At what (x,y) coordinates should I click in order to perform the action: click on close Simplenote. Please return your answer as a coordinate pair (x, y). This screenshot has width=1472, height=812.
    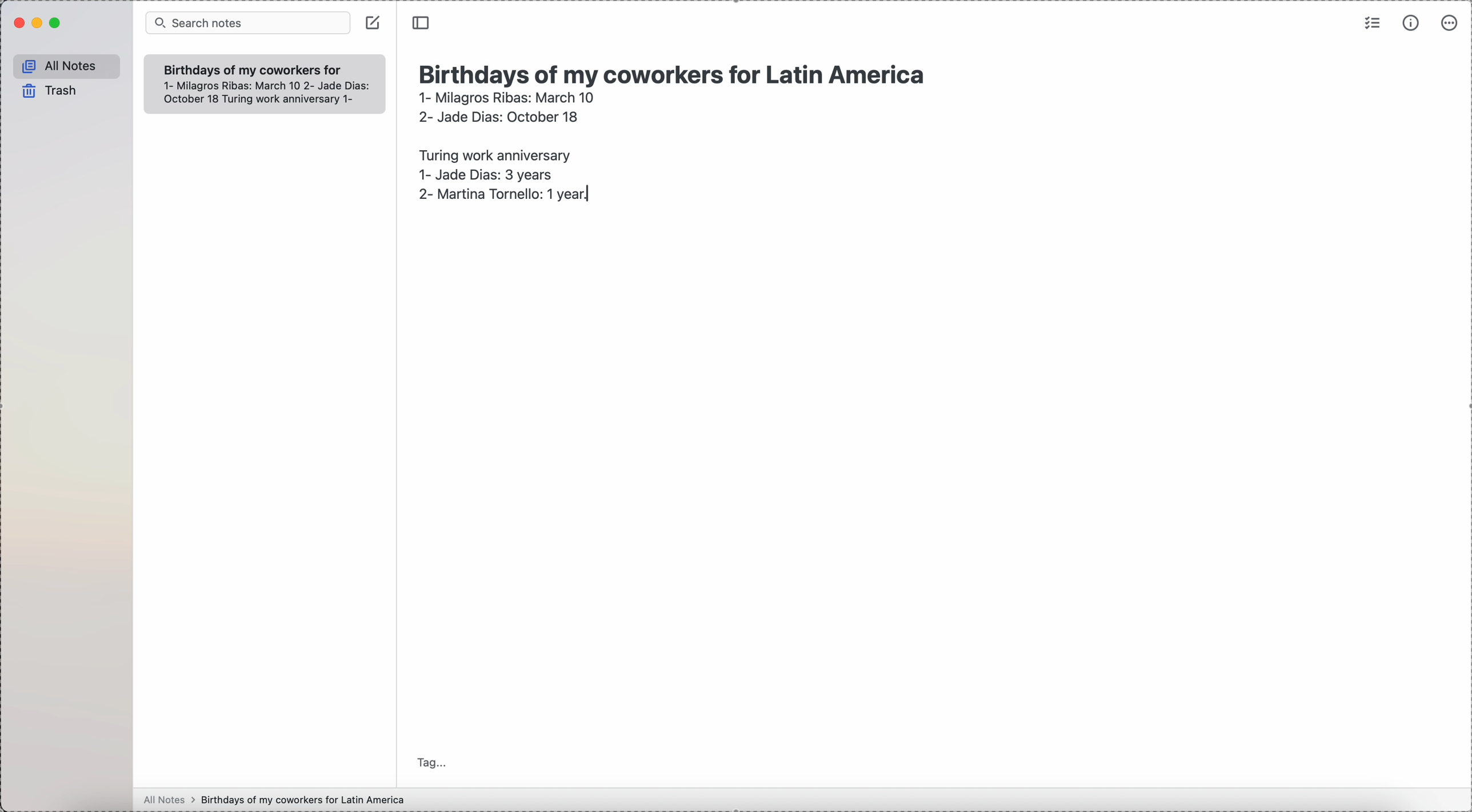
    Looking at the image, I should click on (18, 23).